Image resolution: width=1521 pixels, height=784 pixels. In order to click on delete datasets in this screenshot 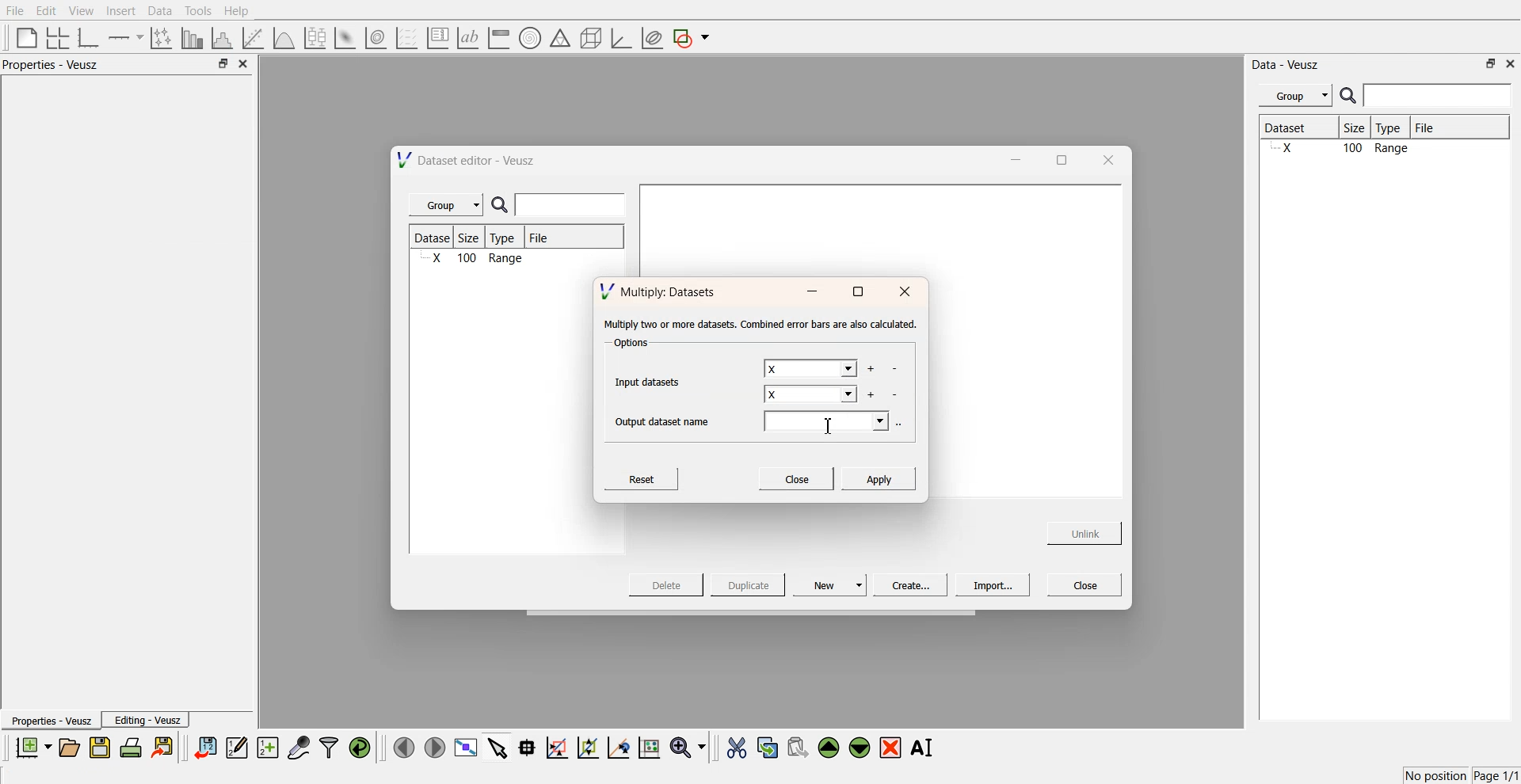, I will do `click(896, 395)`.